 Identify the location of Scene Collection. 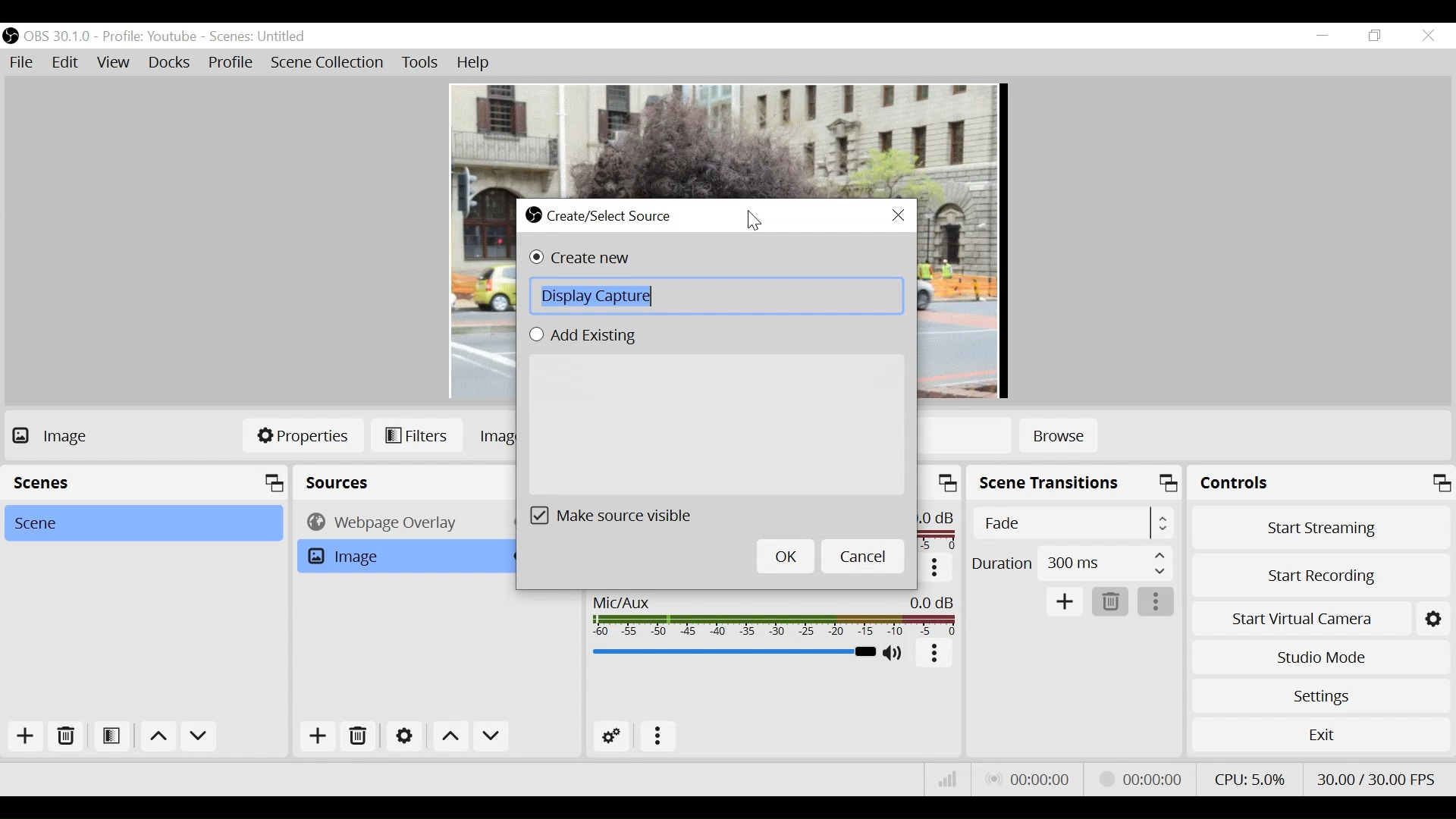
(330, 63).